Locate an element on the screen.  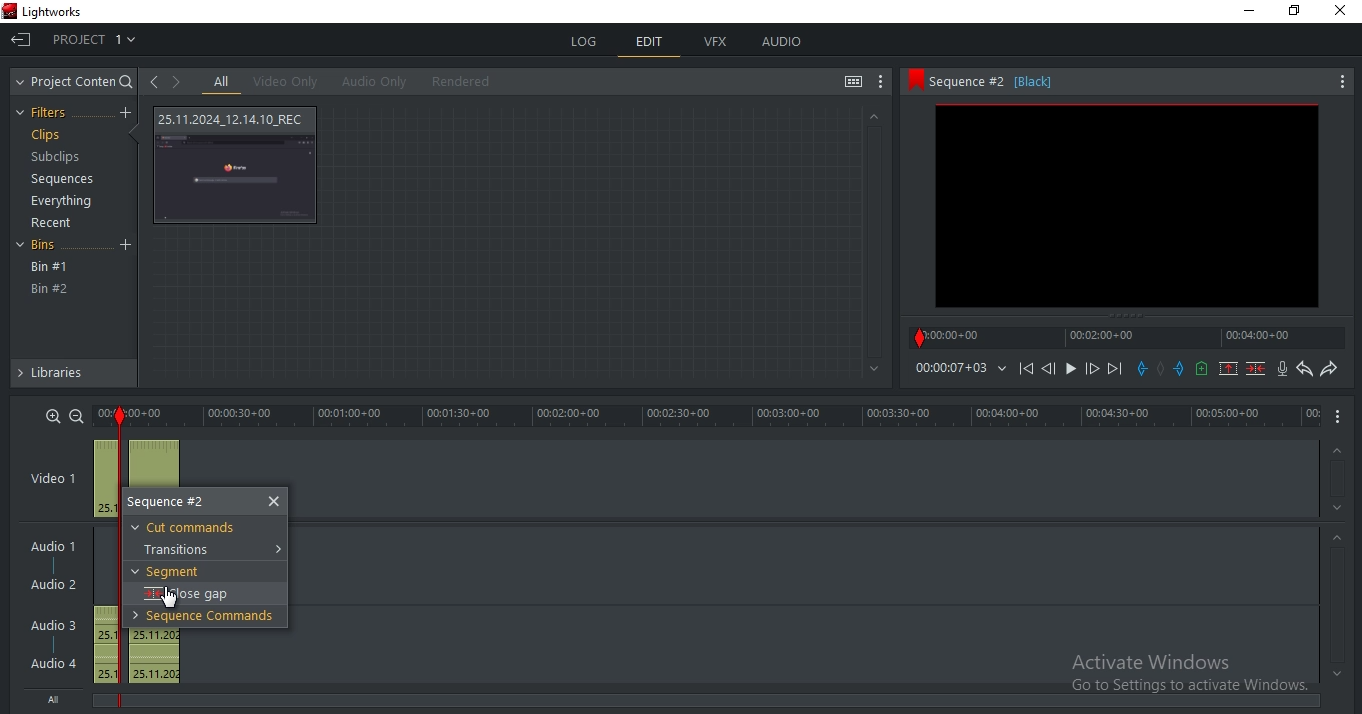
project 1 is located at coordinates (96, 37).